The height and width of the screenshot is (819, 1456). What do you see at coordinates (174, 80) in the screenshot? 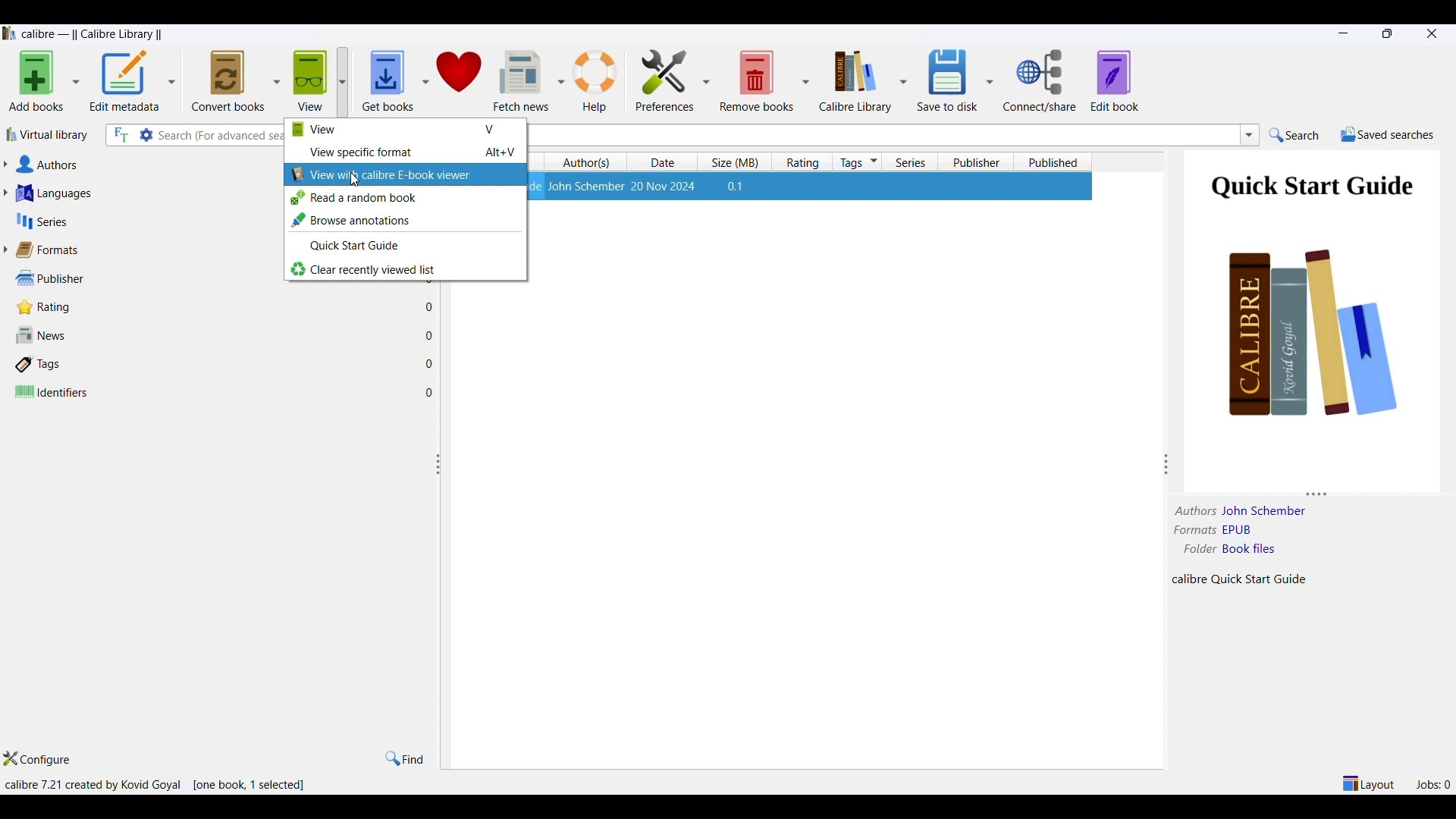
I see `edit metadata options dropdown button` at bounding box center [174, 80].